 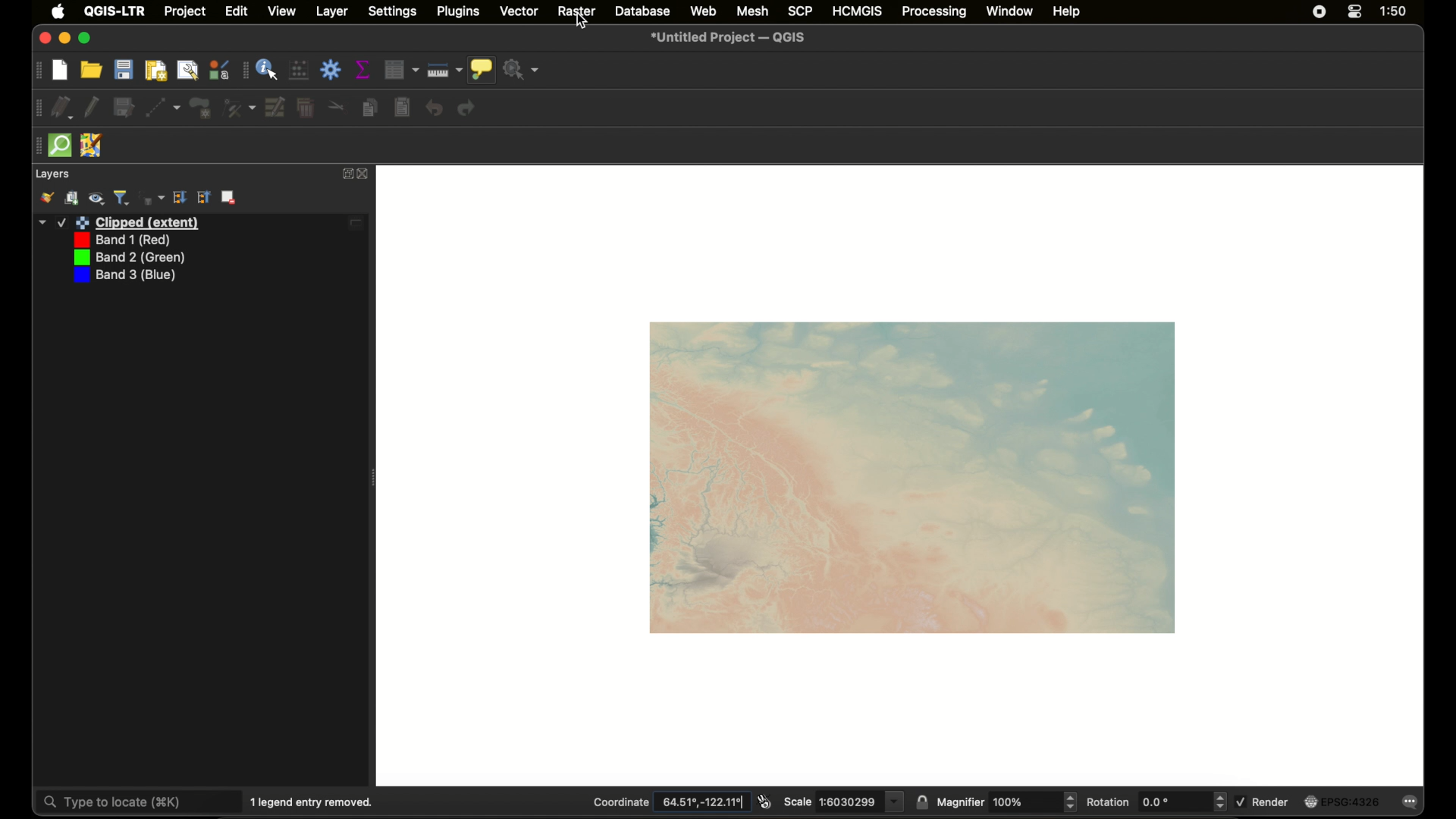 What do you see at coordinates (138, 801) in the screenshot?
I see `type to locate` at bounding box center [138, 801].